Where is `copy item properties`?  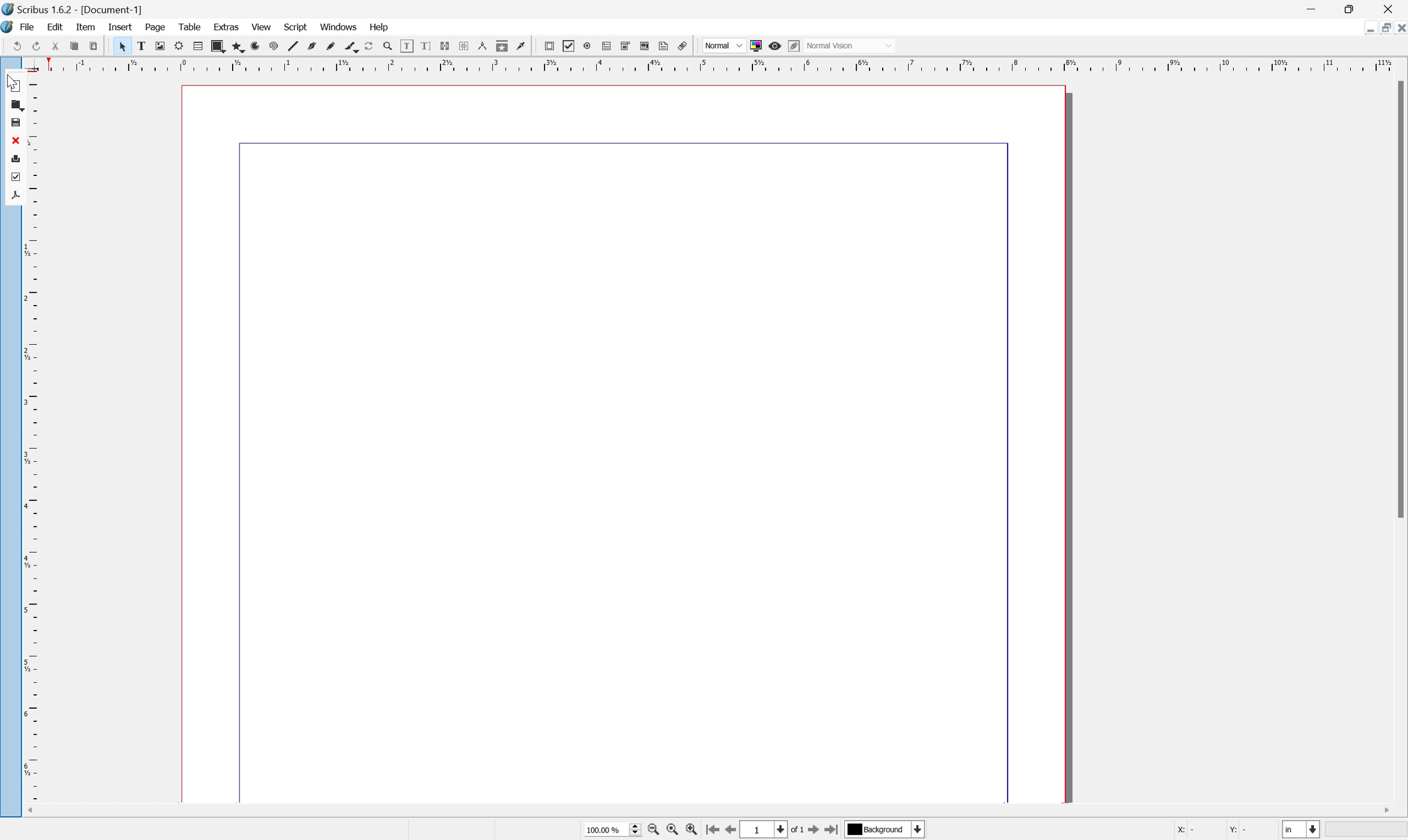 copy item properties is located at coordinates (645, 46).